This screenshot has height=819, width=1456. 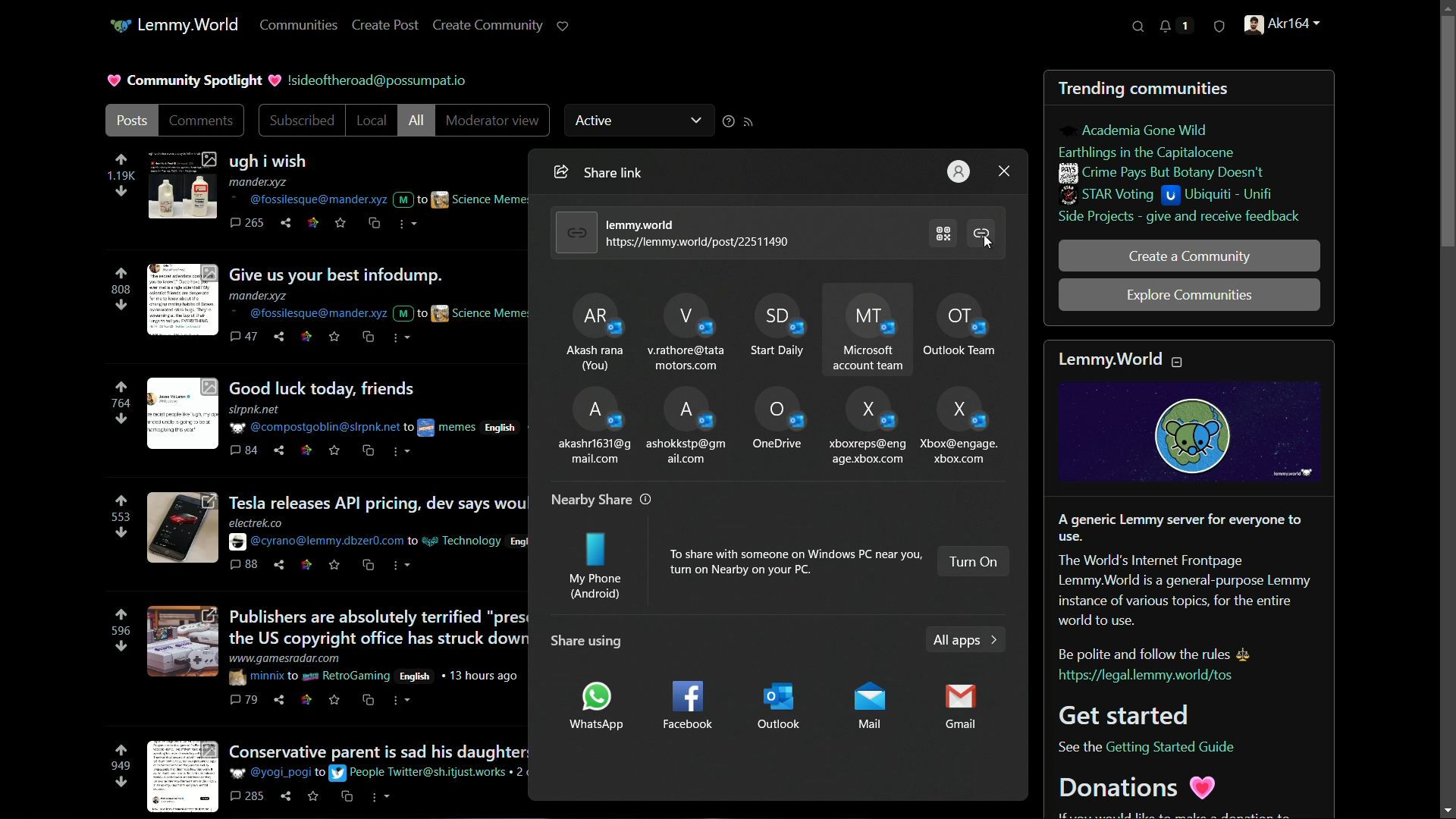 I want to click on @cyrano@lemmy.dbzer0.com, so click(x=315, y=542).